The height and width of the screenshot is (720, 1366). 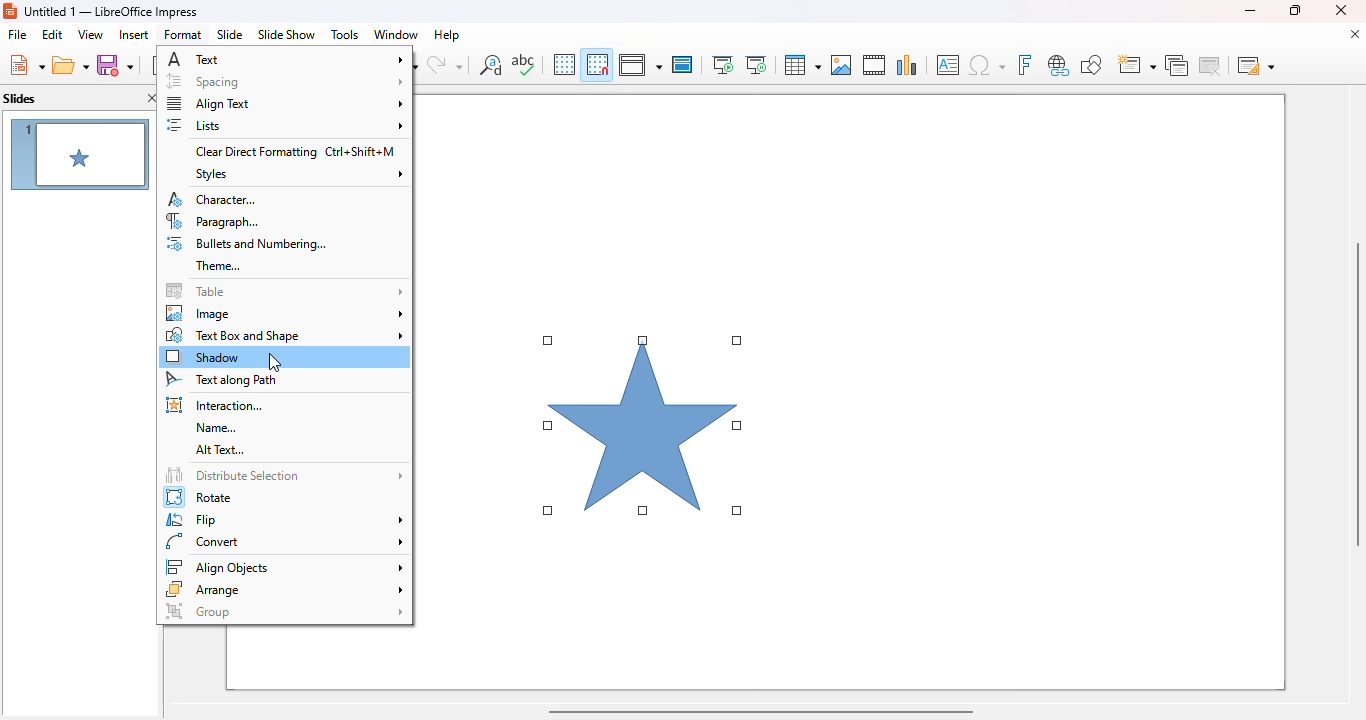 What do you see at coordinates (200, 497) in the screenshot?
I see `rotate` at bounding box center [200, 497].